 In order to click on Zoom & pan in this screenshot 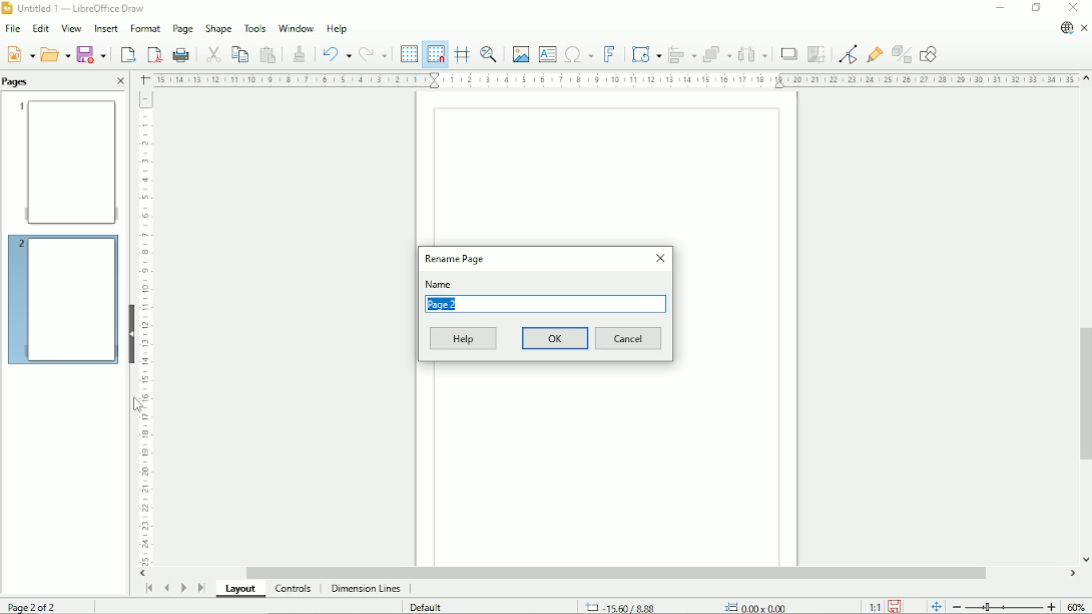, I will do `click(490, 54)`.